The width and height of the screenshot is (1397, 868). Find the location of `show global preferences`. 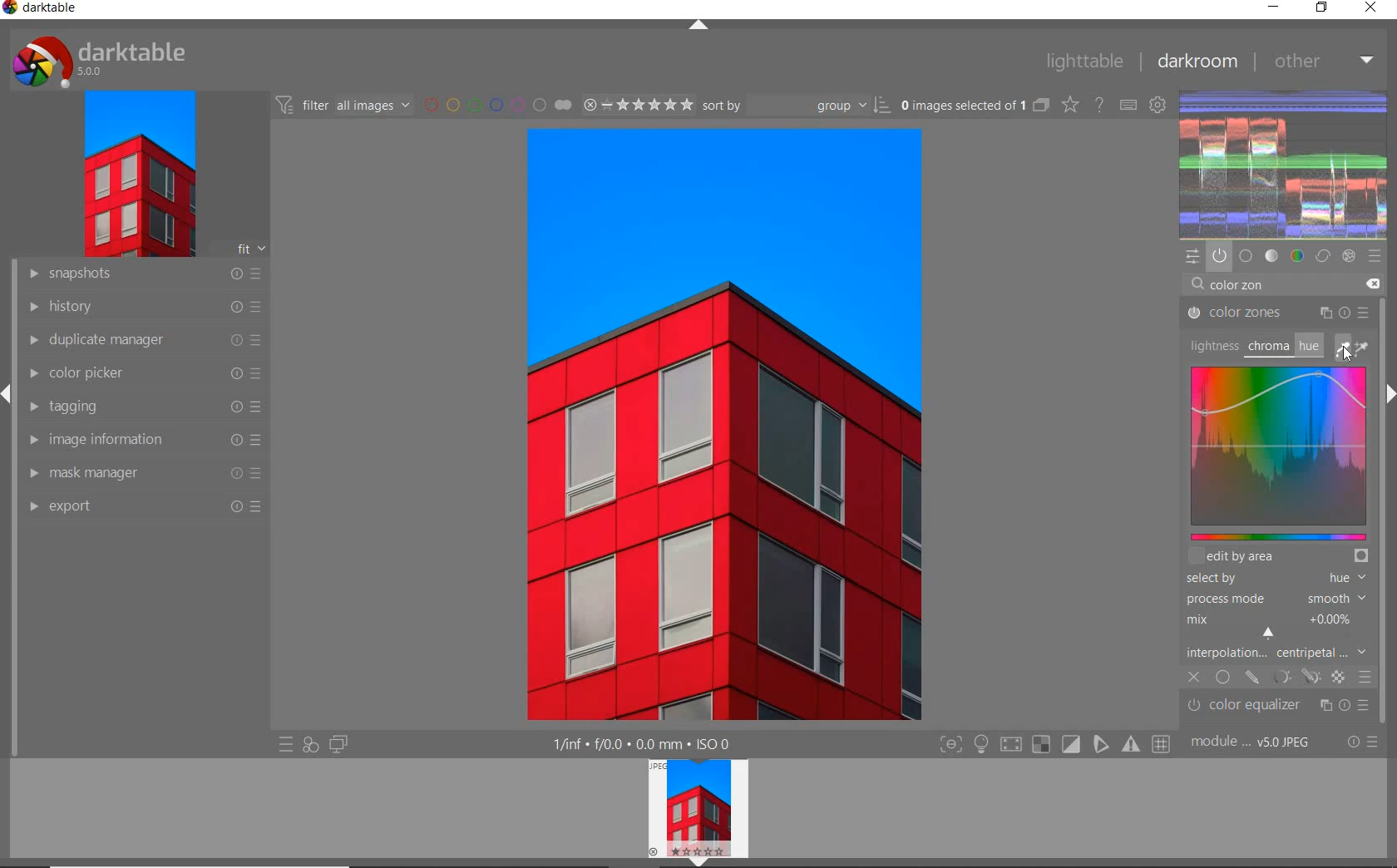

show global preferences is located at coordinates (1159, 106).